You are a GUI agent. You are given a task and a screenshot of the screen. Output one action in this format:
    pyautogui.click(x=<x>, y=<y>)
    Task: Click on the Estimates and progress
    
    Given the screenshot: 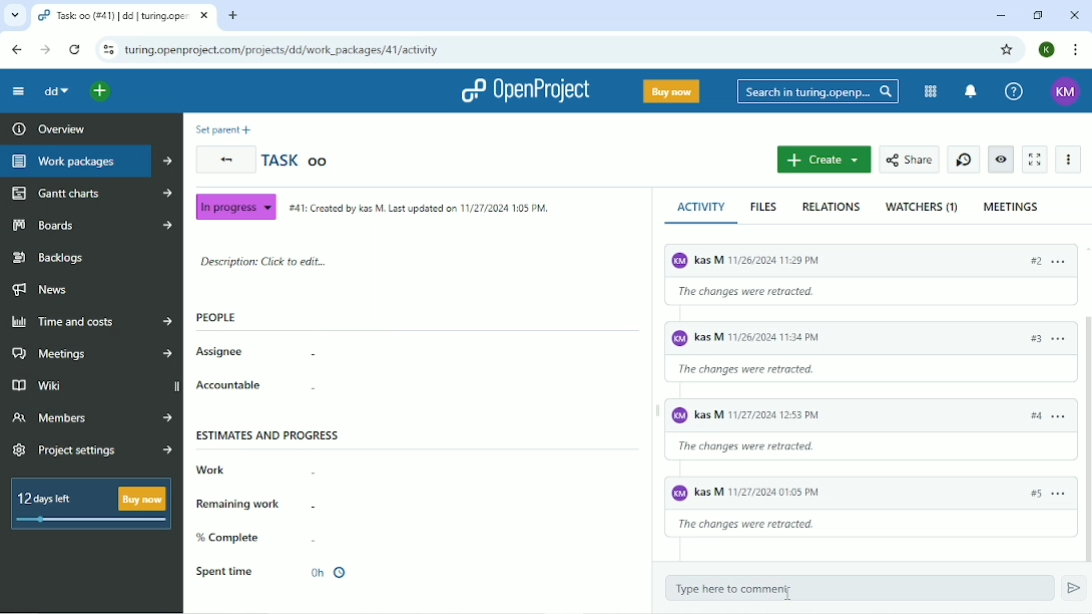 What is the action you would take?
    pyautogui.click(x=268, y=434)
    